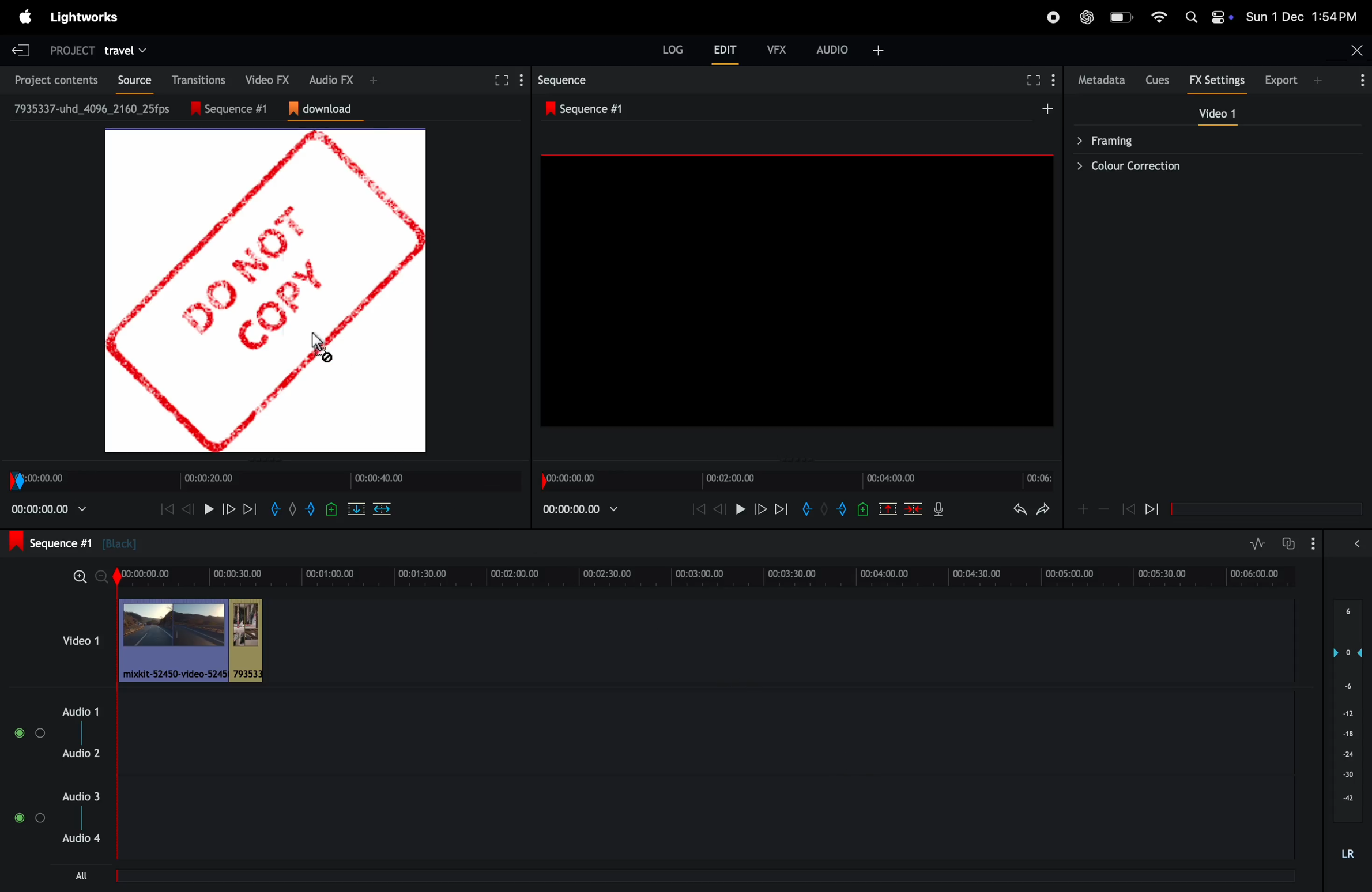  Describe the element at coordinates (1287, 543) in the screenshot. I see `toggle auto track sync` at that location.